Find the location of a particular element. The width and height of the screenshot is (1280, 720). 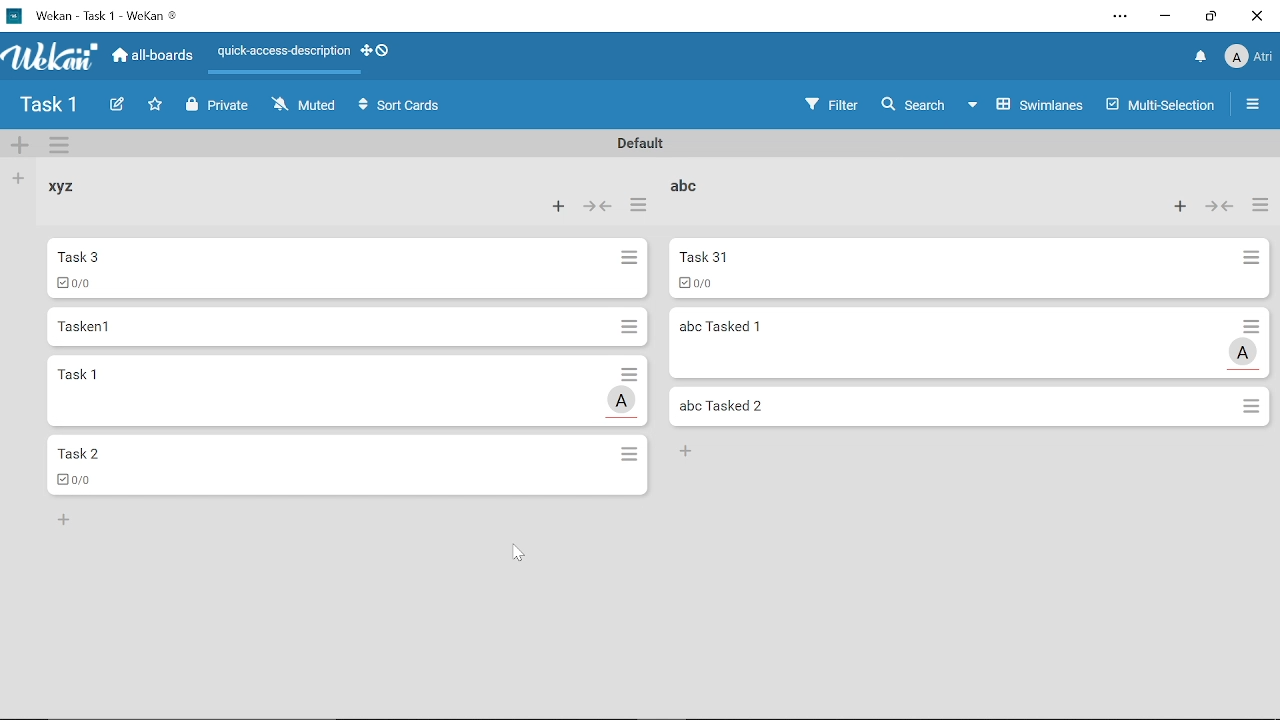

Restore down is located at coordinates (1211, 16).